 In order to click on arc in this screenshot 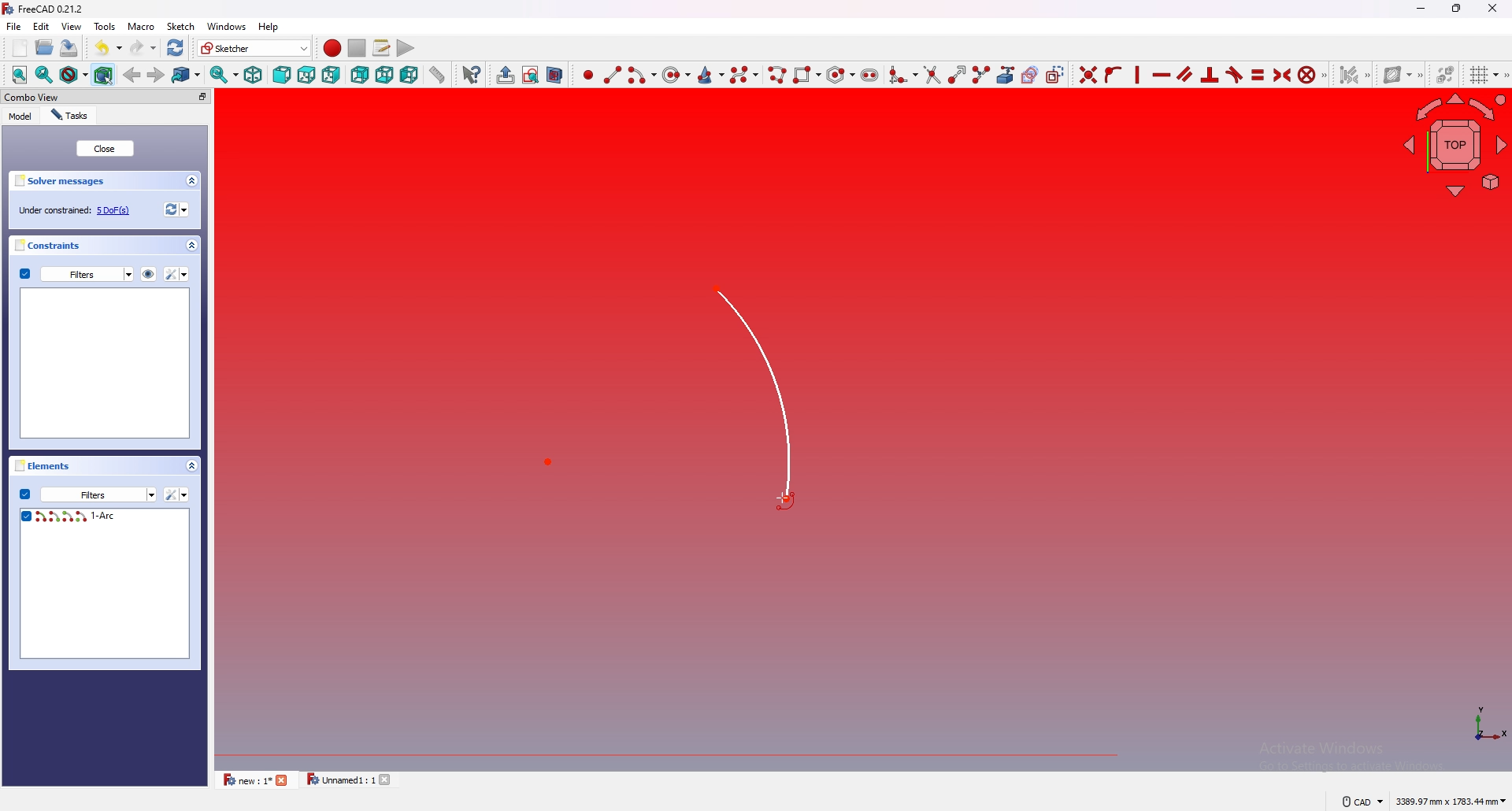, I will do `click(688, 399)`.